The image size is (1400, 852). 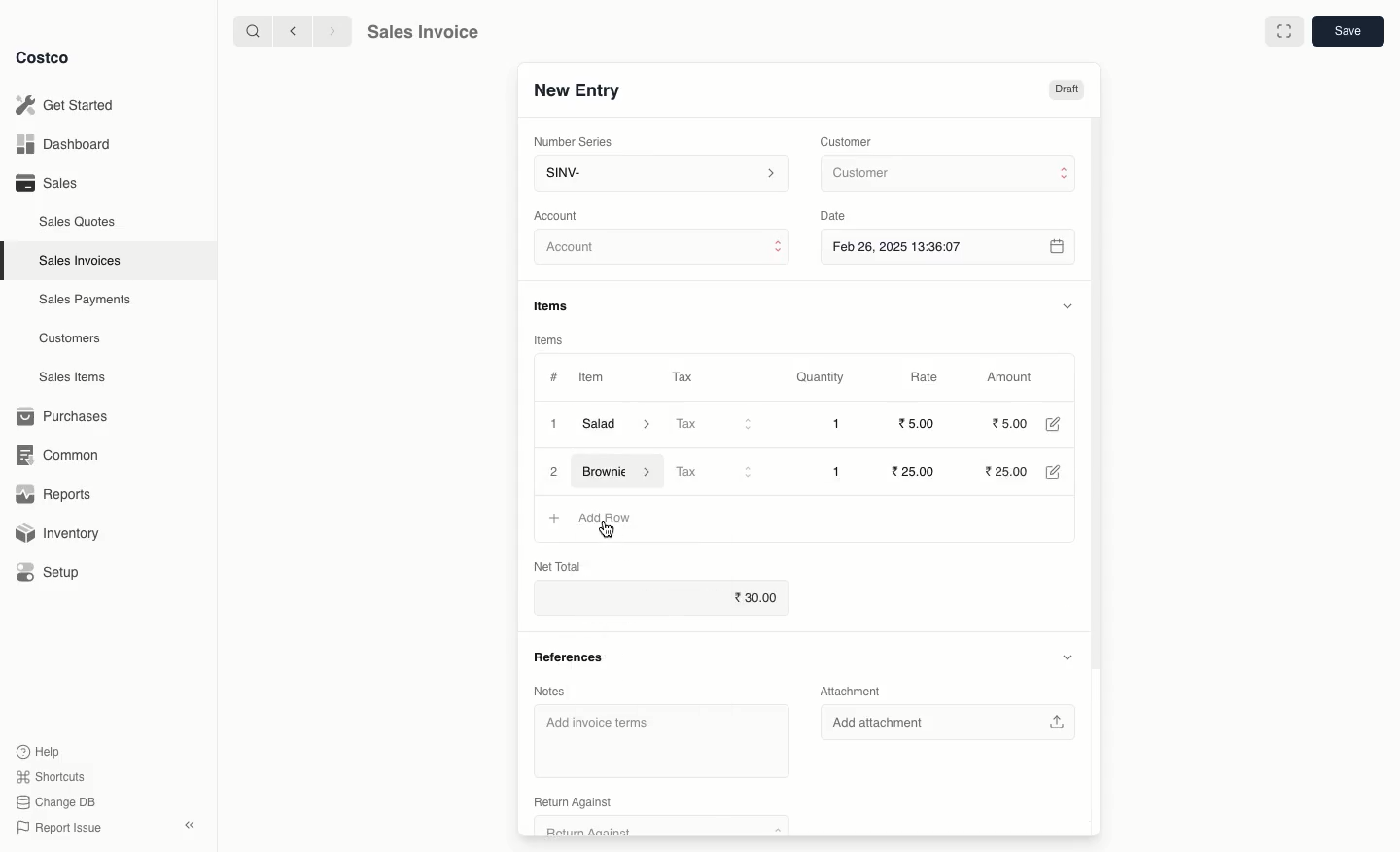 I want to click on Items, so click(x=549, y=339).